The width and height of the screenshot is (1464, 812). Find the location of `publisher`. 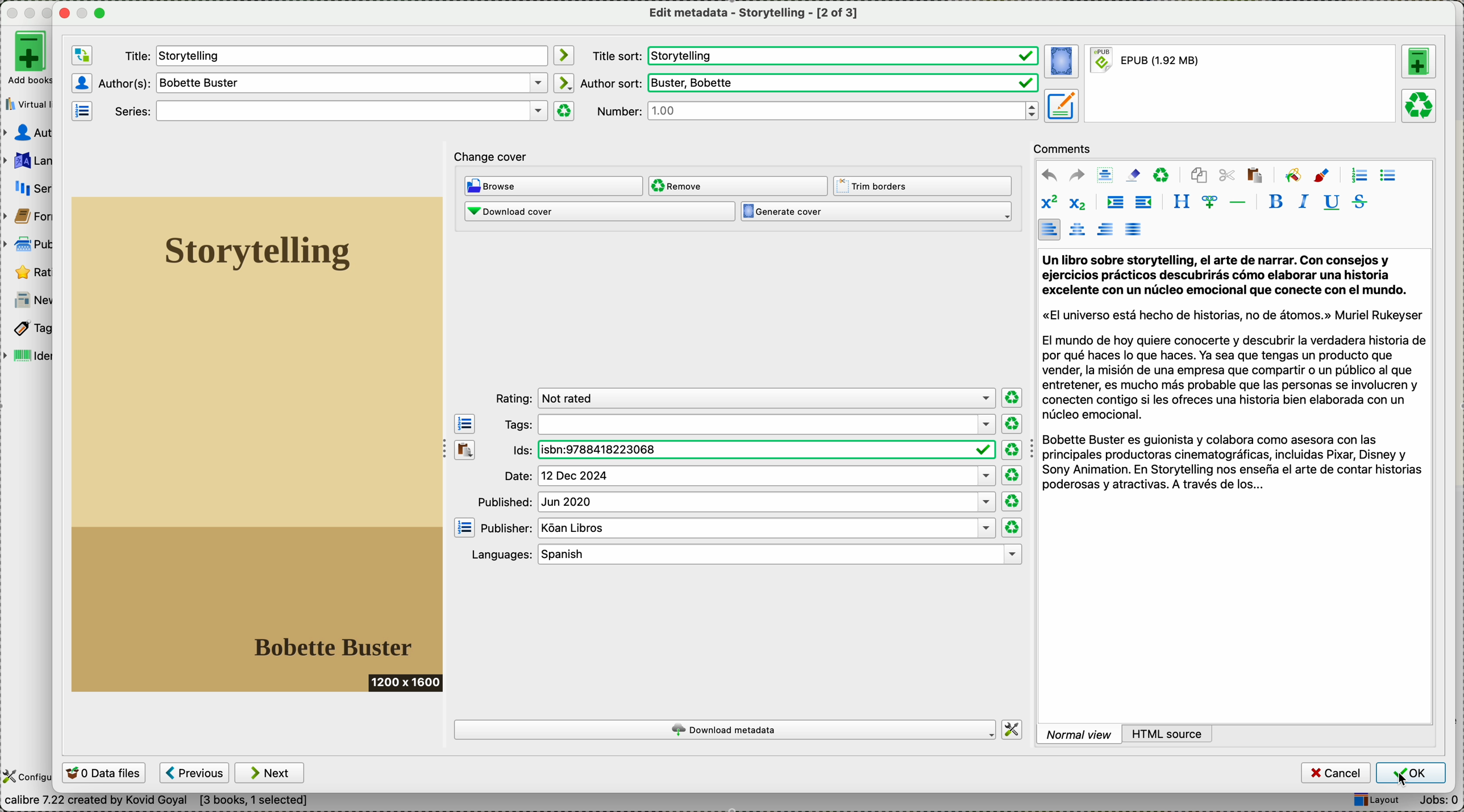

publisher is located at coordinates (30, 244).